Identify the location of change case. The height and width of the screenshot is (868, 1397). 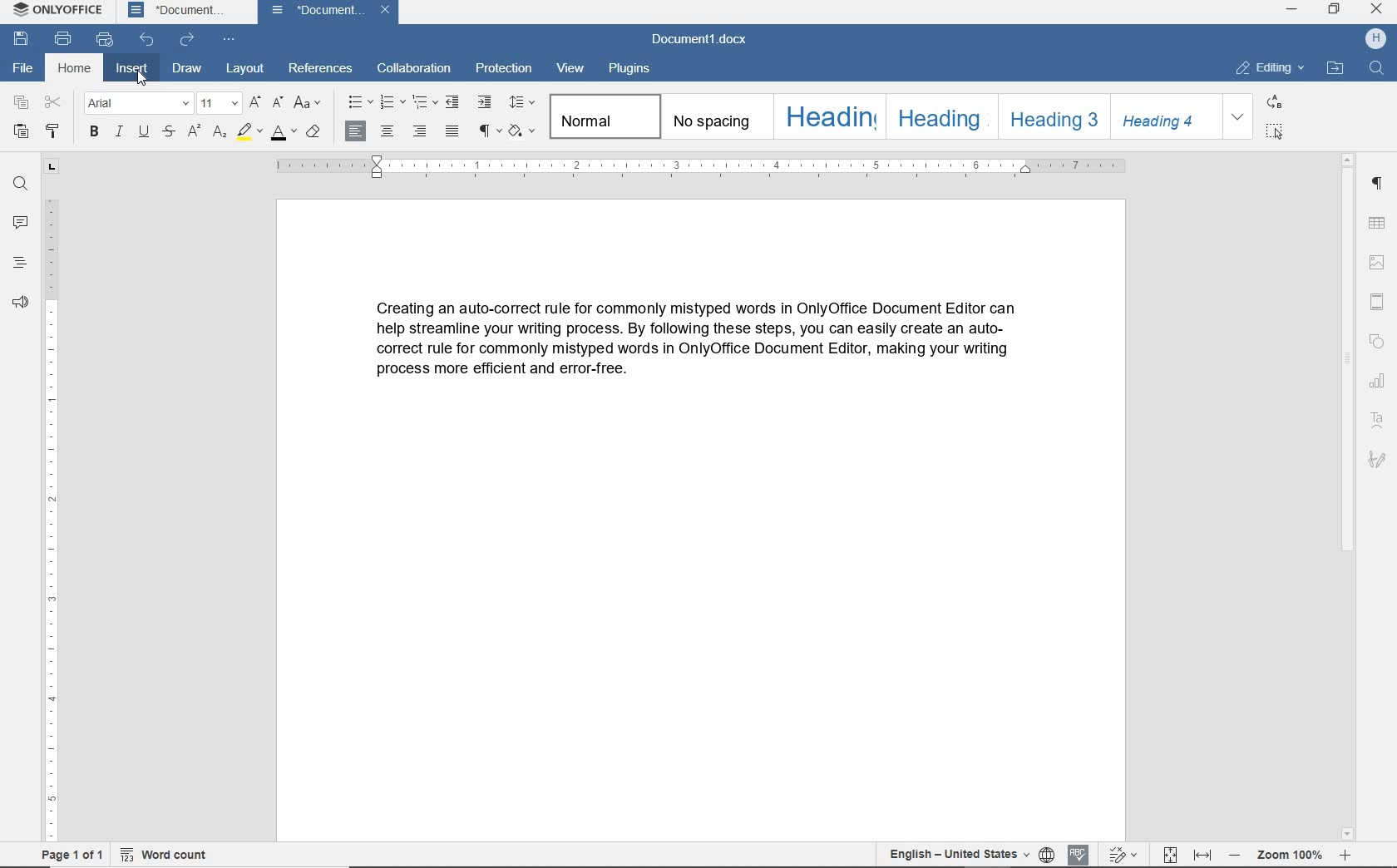
(306, 104).